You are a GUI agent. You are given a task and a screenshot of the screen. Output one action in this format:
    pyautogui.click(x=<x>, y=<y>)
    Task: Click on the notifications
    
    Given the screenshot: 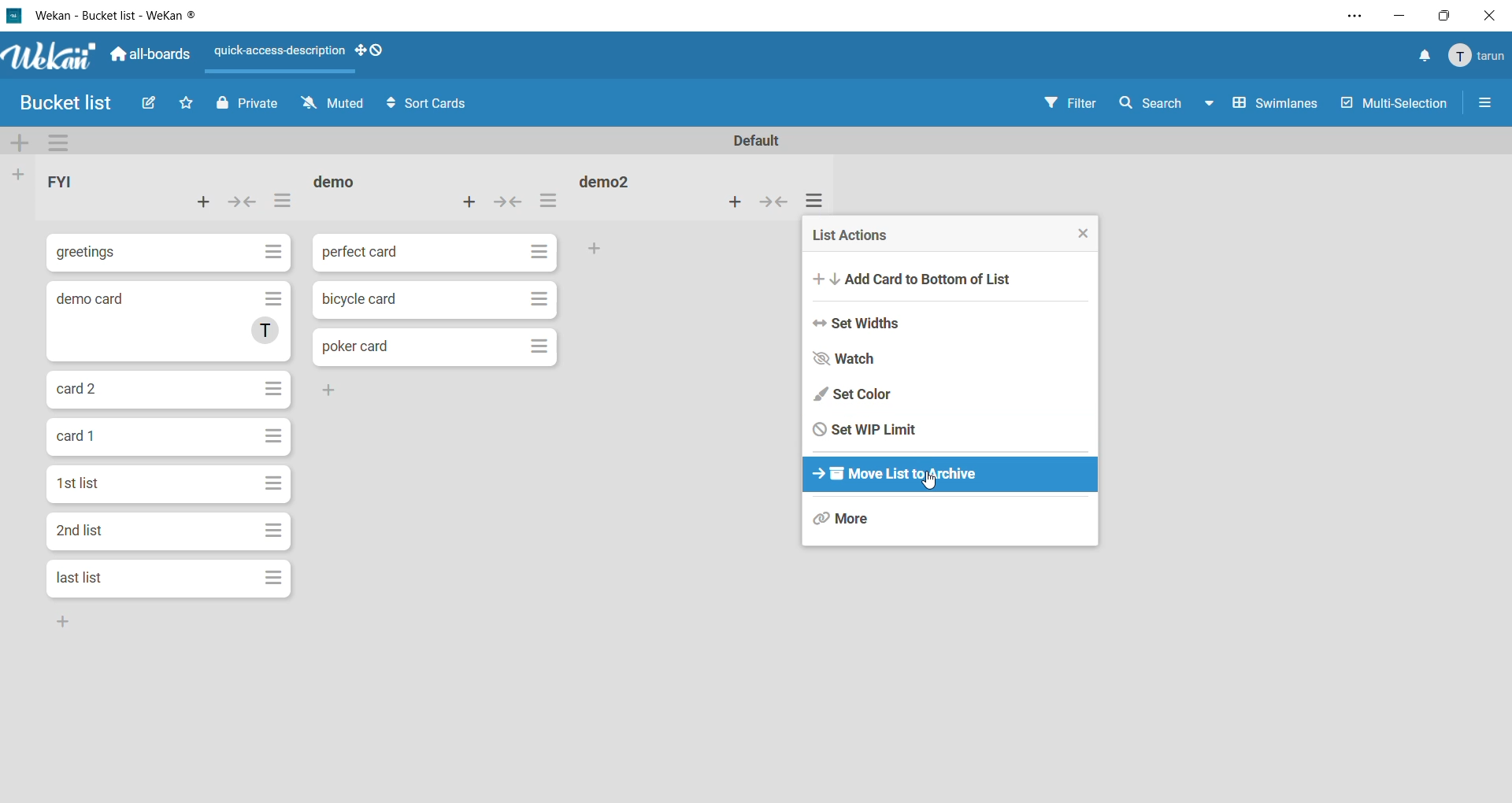 What is the action you would take?
    pyautogui.click(x=1417, y=57)
    